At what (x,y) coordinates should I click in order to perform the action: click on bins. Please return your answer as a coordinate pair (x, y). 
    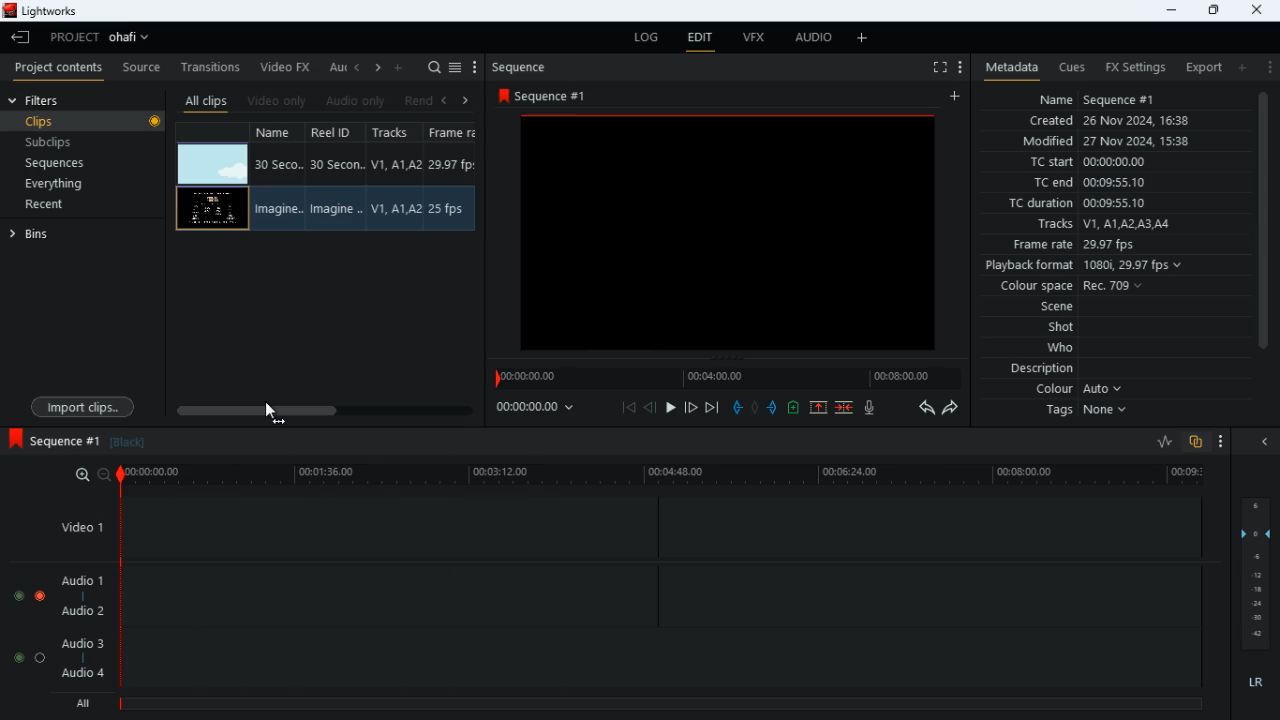
    Looking at the image, I should click on (51, 236).